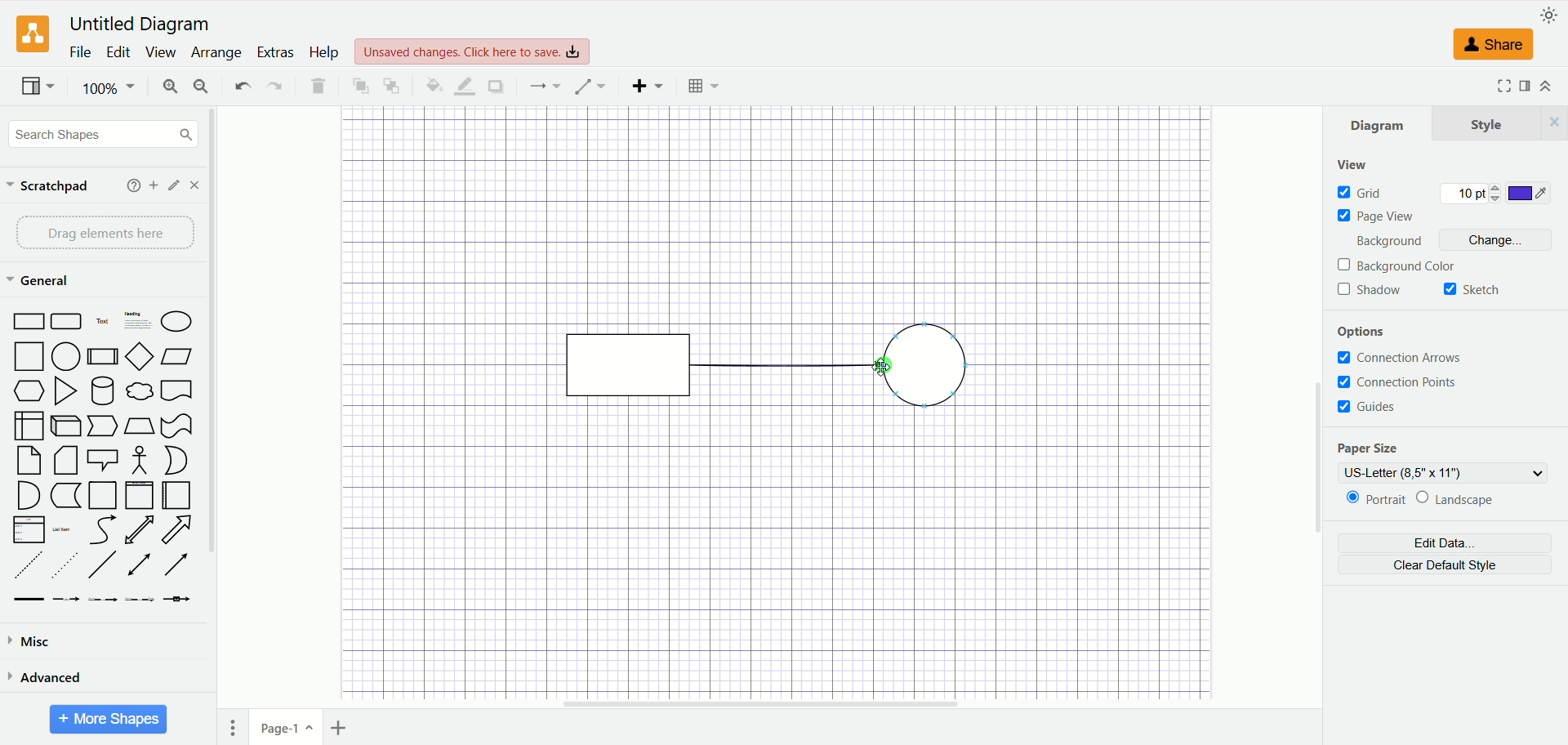  I want to click on Cylinder, so click(104, 391).